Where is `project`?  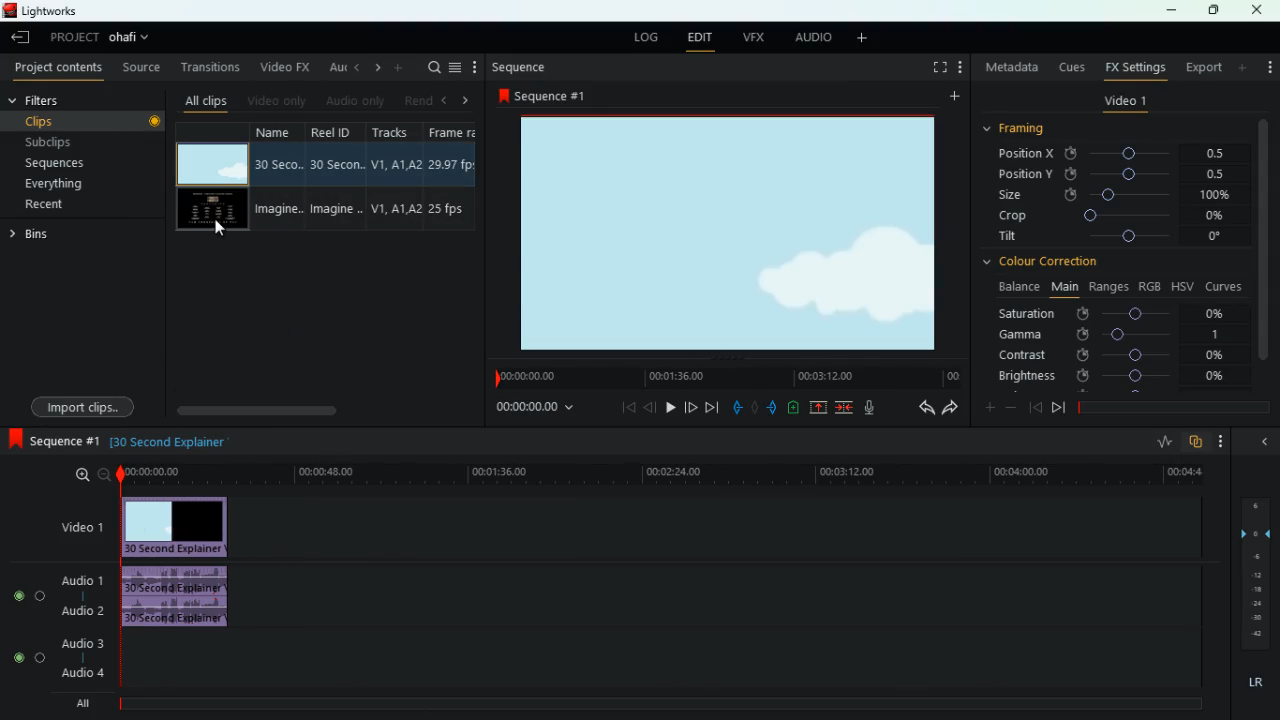 project is located at coordinates (74, 37).